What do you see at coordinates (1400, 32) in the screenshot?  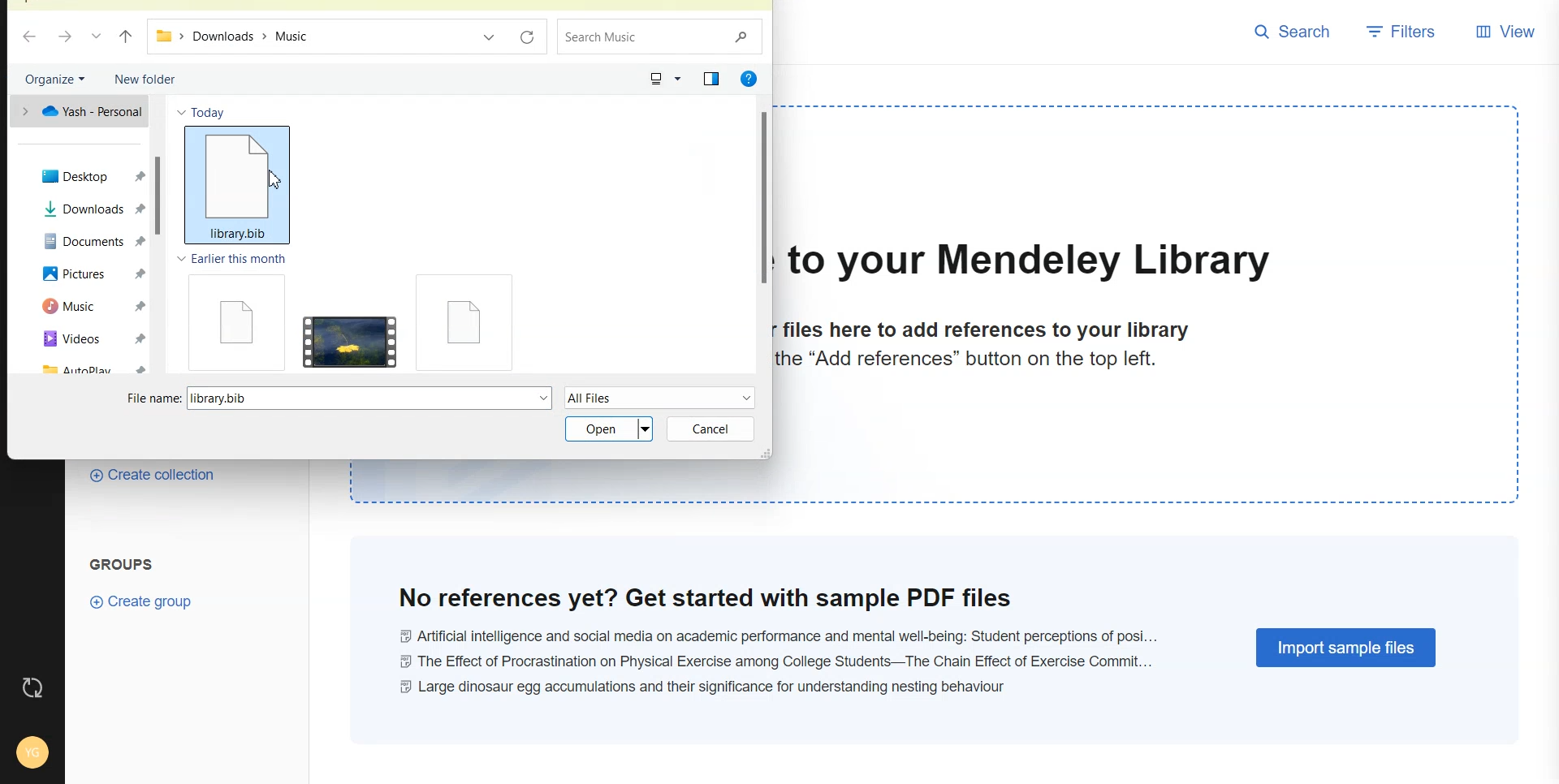 I see `Filters` at bounding box center [1400, 32].